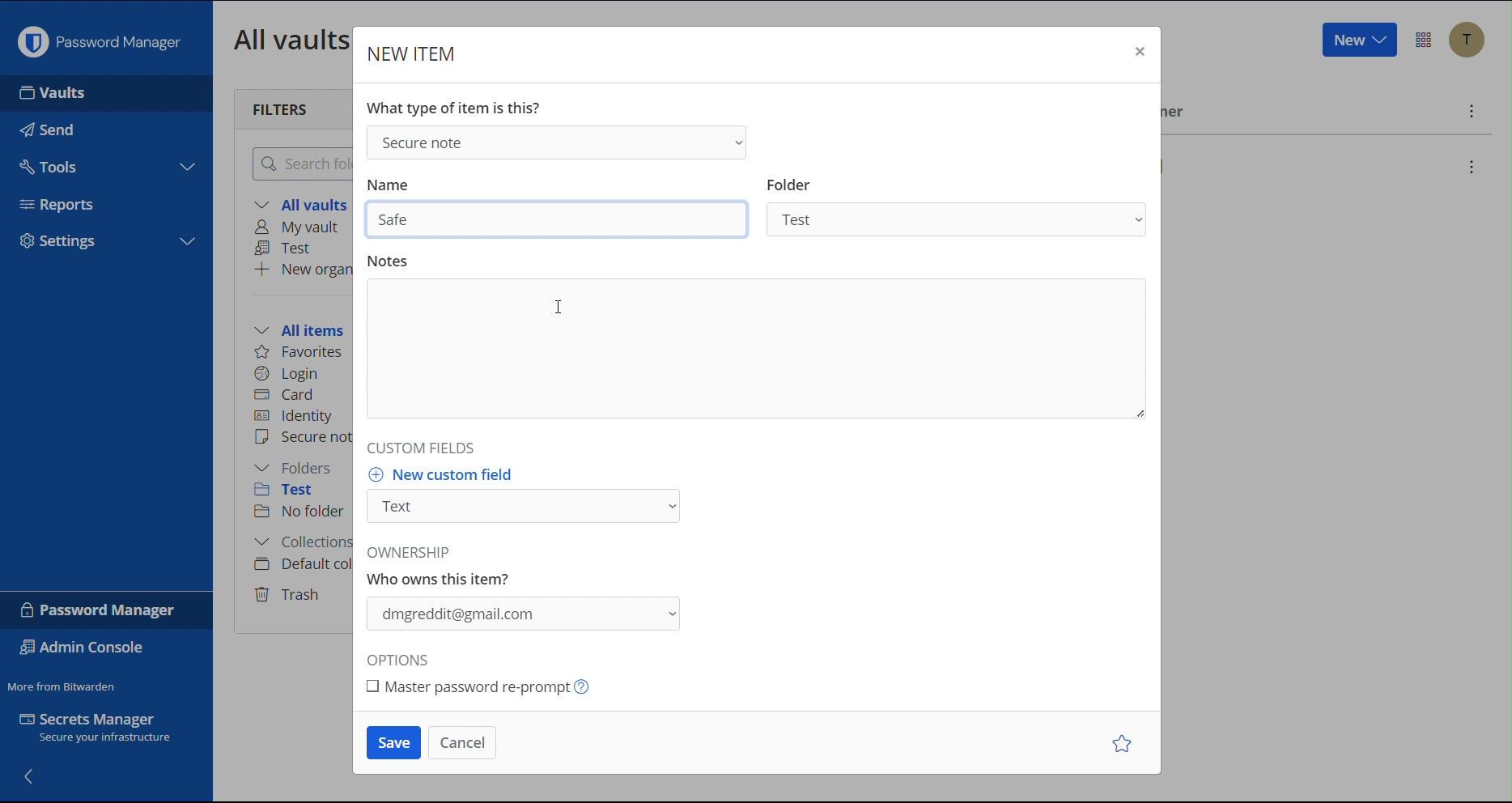  I want to click on Password Manager, so click(100, 610).